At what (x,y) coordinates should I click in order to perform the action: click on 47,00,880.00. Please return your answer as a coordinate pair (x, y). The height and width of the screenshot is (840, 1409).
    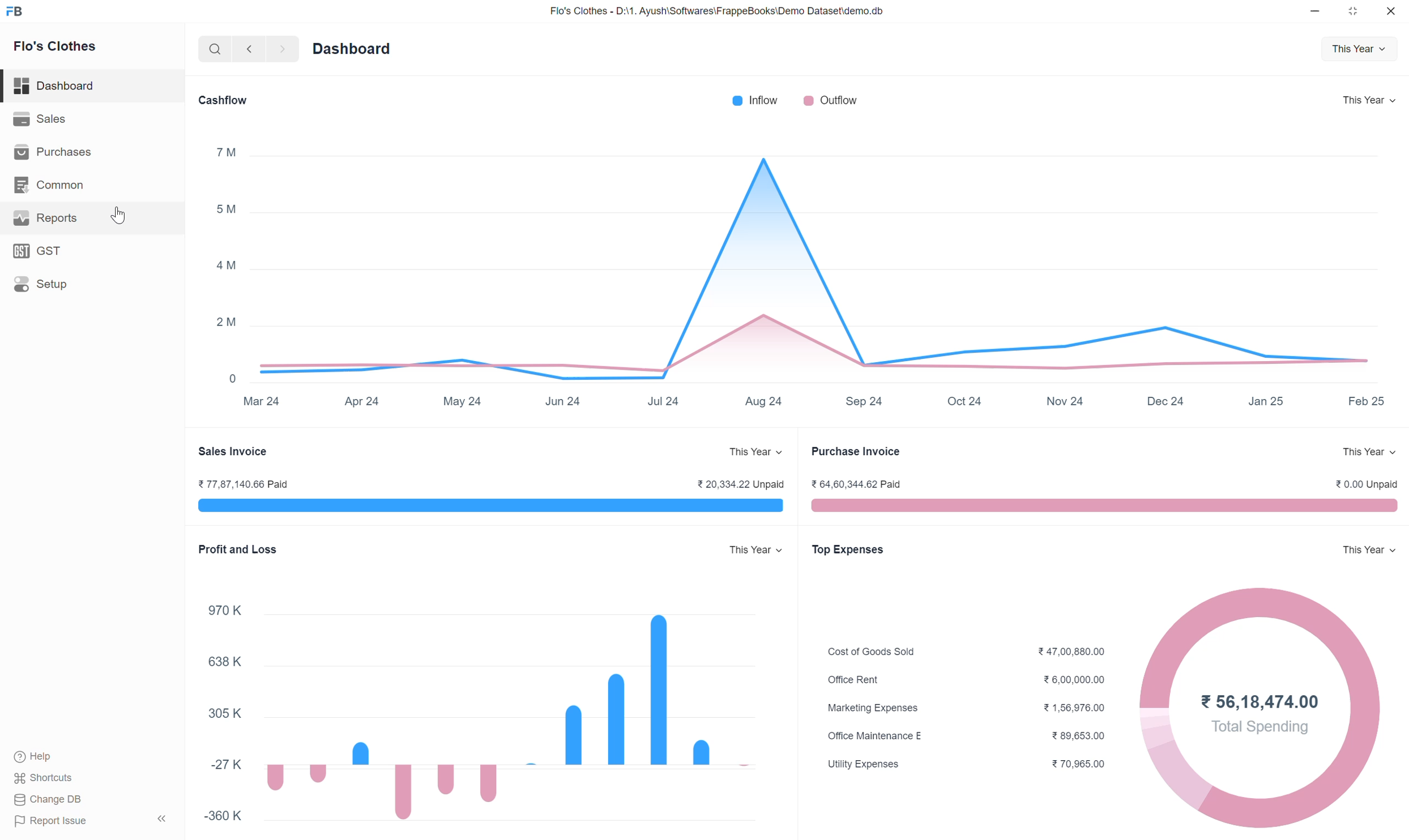
    Looking at the image, I should click on (1076, 651).